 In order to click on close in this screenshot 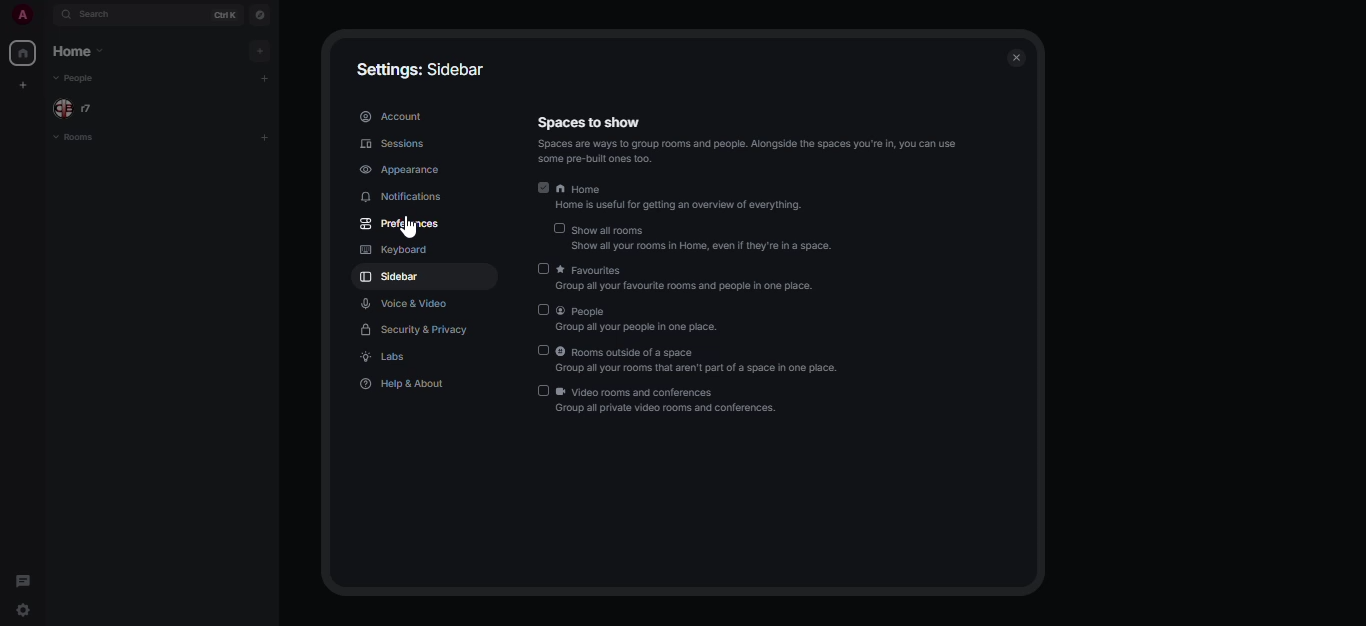, I will do `click(1016, 58)`.